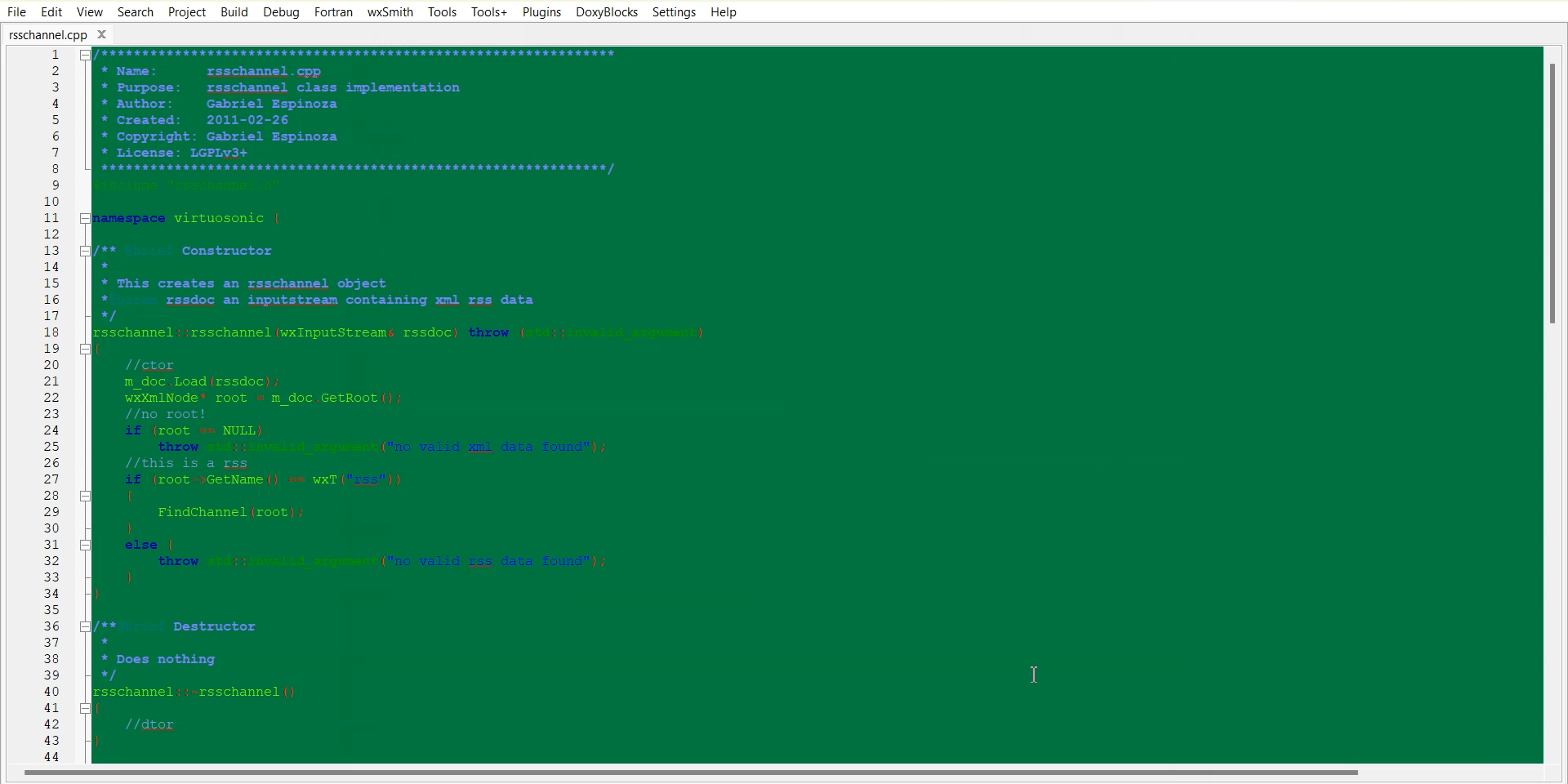  I want to click on Project, so click(186, 11).